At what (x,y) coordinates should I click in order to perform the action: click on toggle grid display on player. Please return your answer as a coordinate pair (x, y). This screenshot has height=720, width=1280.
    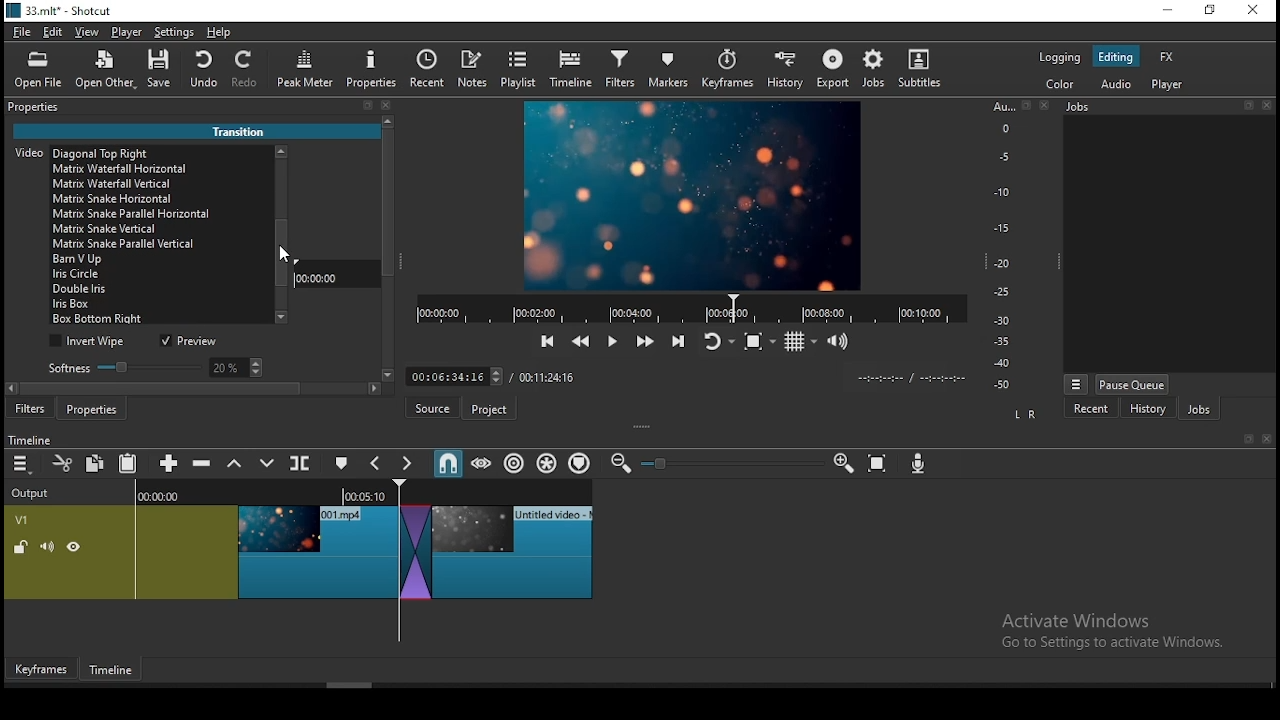
    Looking at the image, I should click on (803, 339).